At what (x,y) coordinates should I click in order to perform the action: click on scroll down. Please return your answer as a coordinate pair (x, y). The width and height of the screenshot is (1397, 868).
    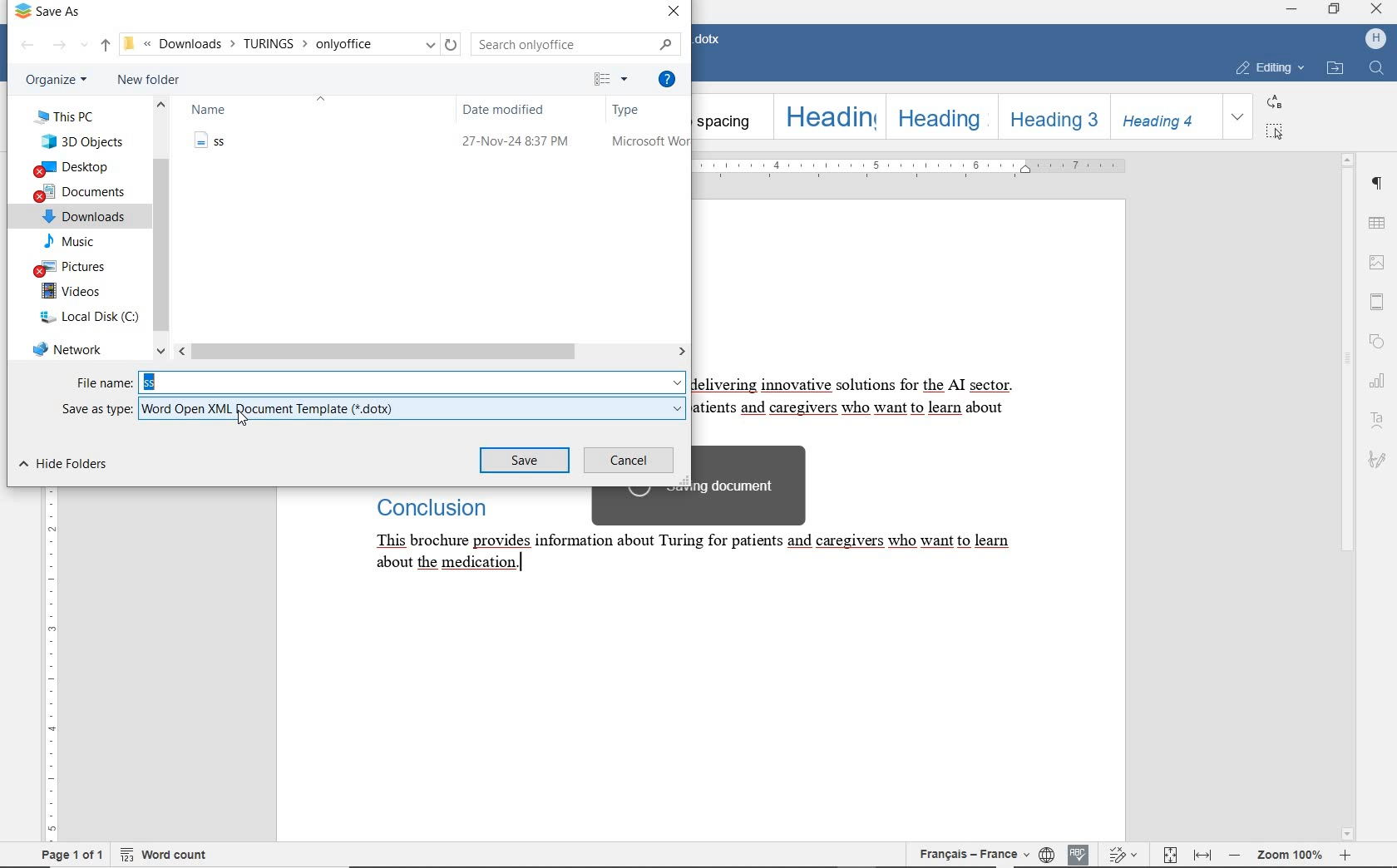
    Looking at the image, I should click on (1348, 836).